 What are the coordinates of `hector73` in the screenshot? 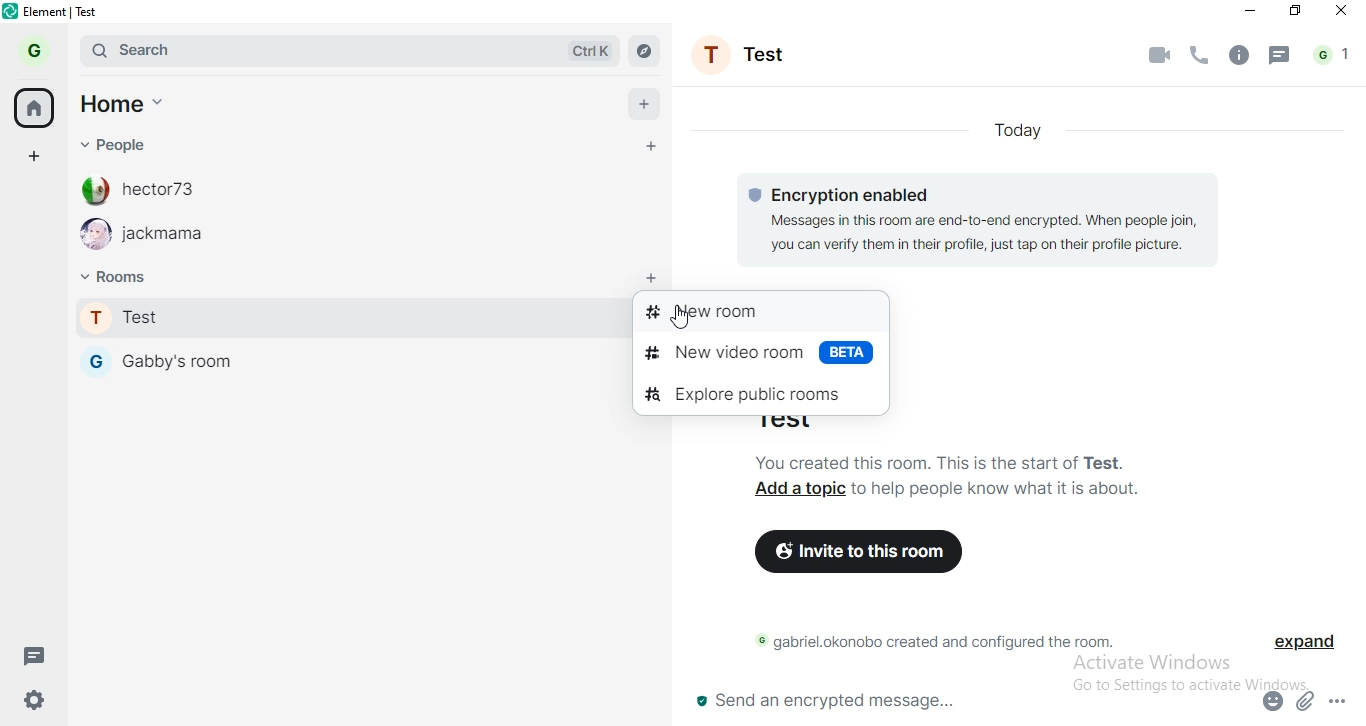 It's located at (150, 190).